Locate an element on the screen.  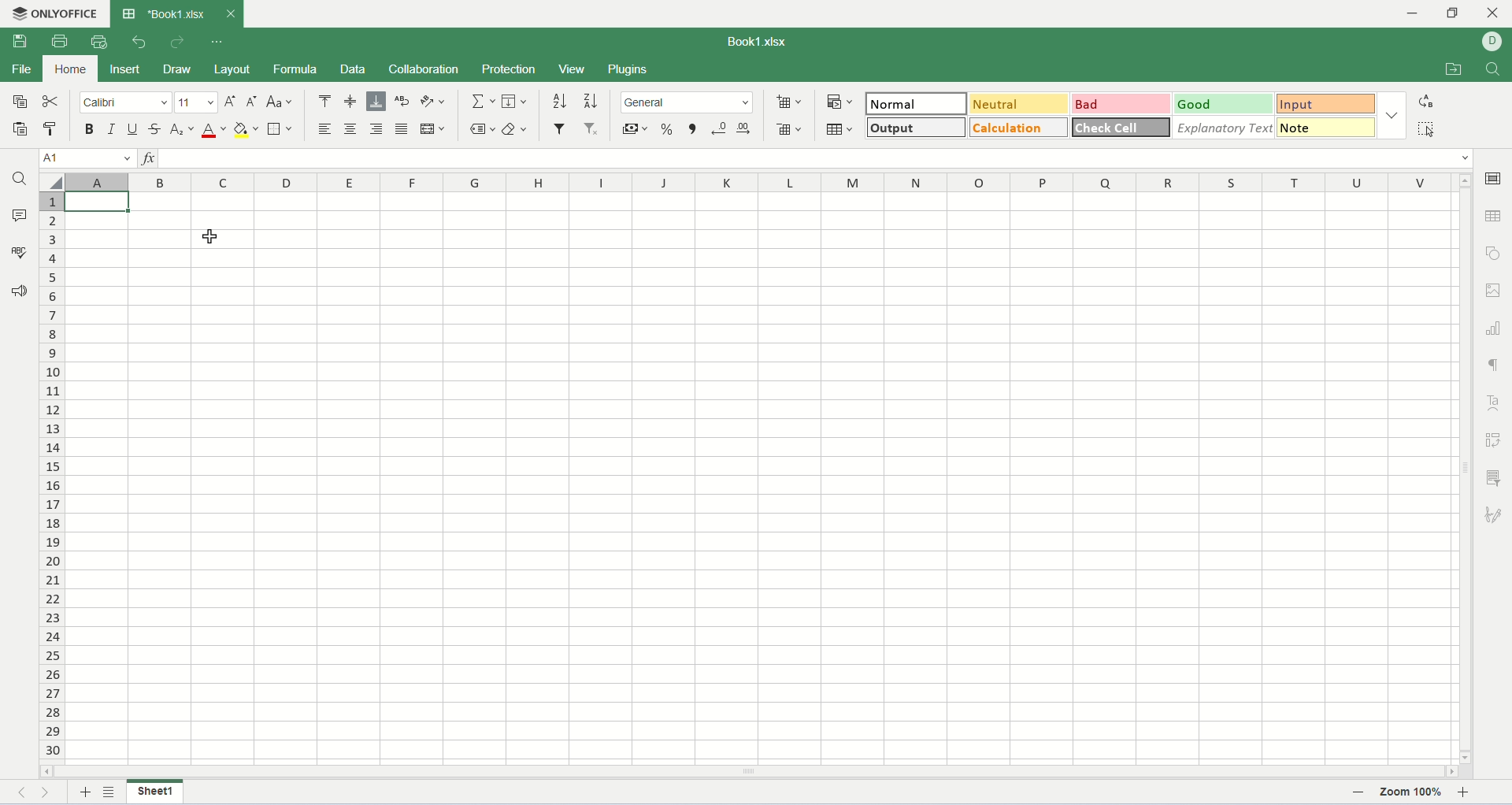
quich settings is located at coordinates (218, 42).